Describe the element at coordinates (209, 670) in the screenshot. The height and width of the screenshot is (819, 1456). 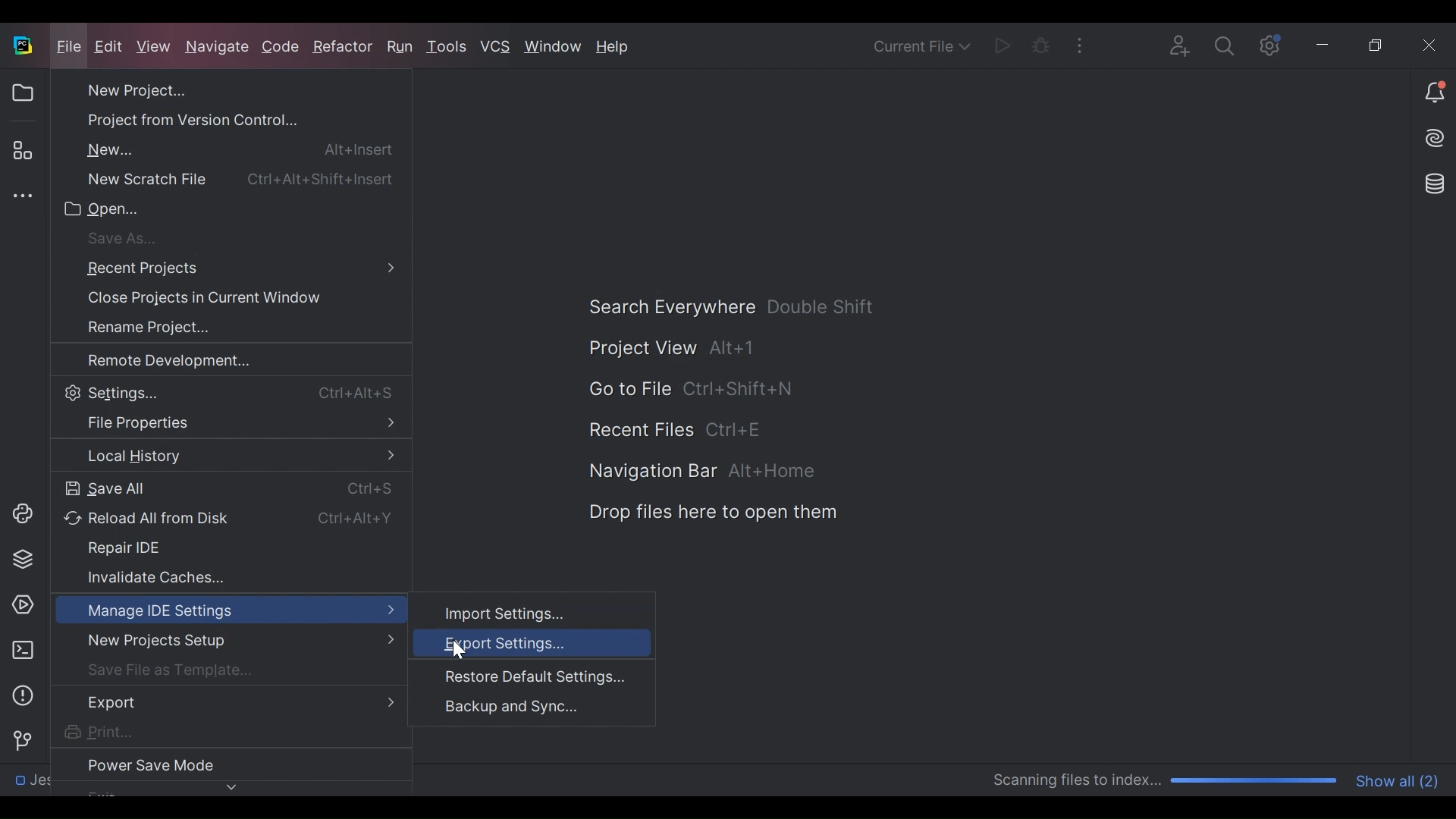
I see `Save File as a template` at that location.